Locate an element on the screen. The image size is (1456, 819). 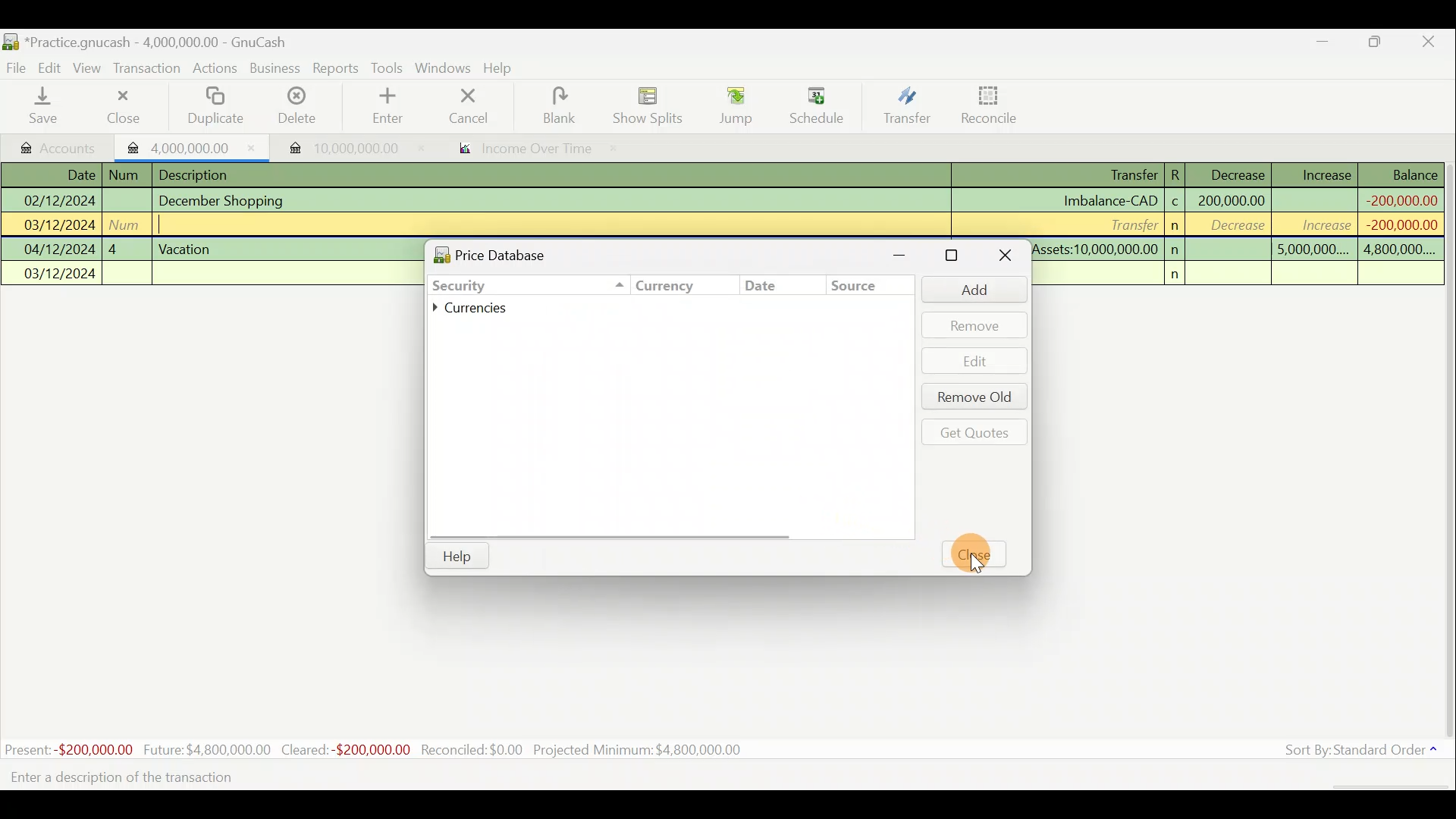
Windows is located at coordinates (443, 68).